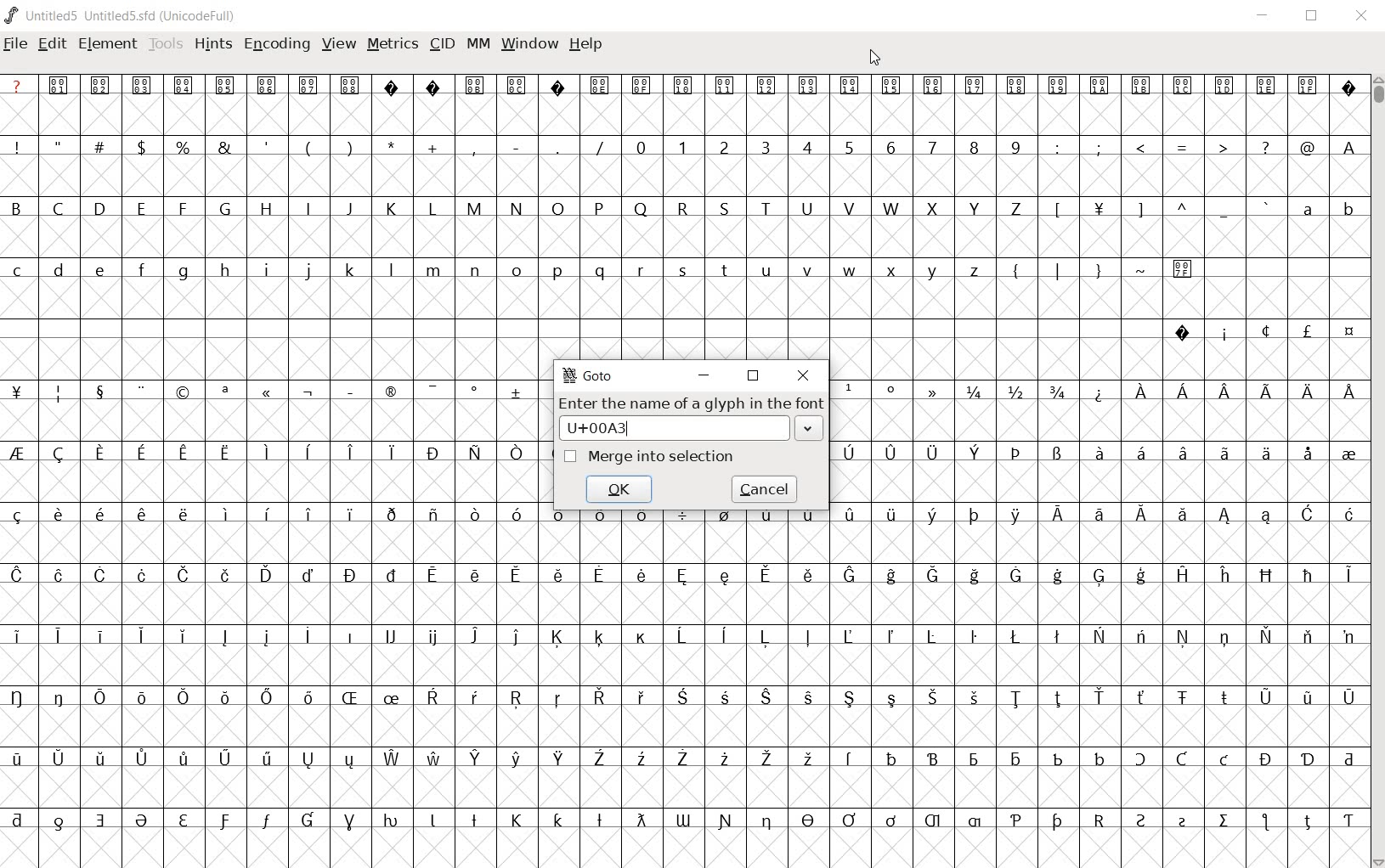  What do you see at coordinates (557, 637) in the screenshot?
I see `Symbol` at bounding box center [557, 637].